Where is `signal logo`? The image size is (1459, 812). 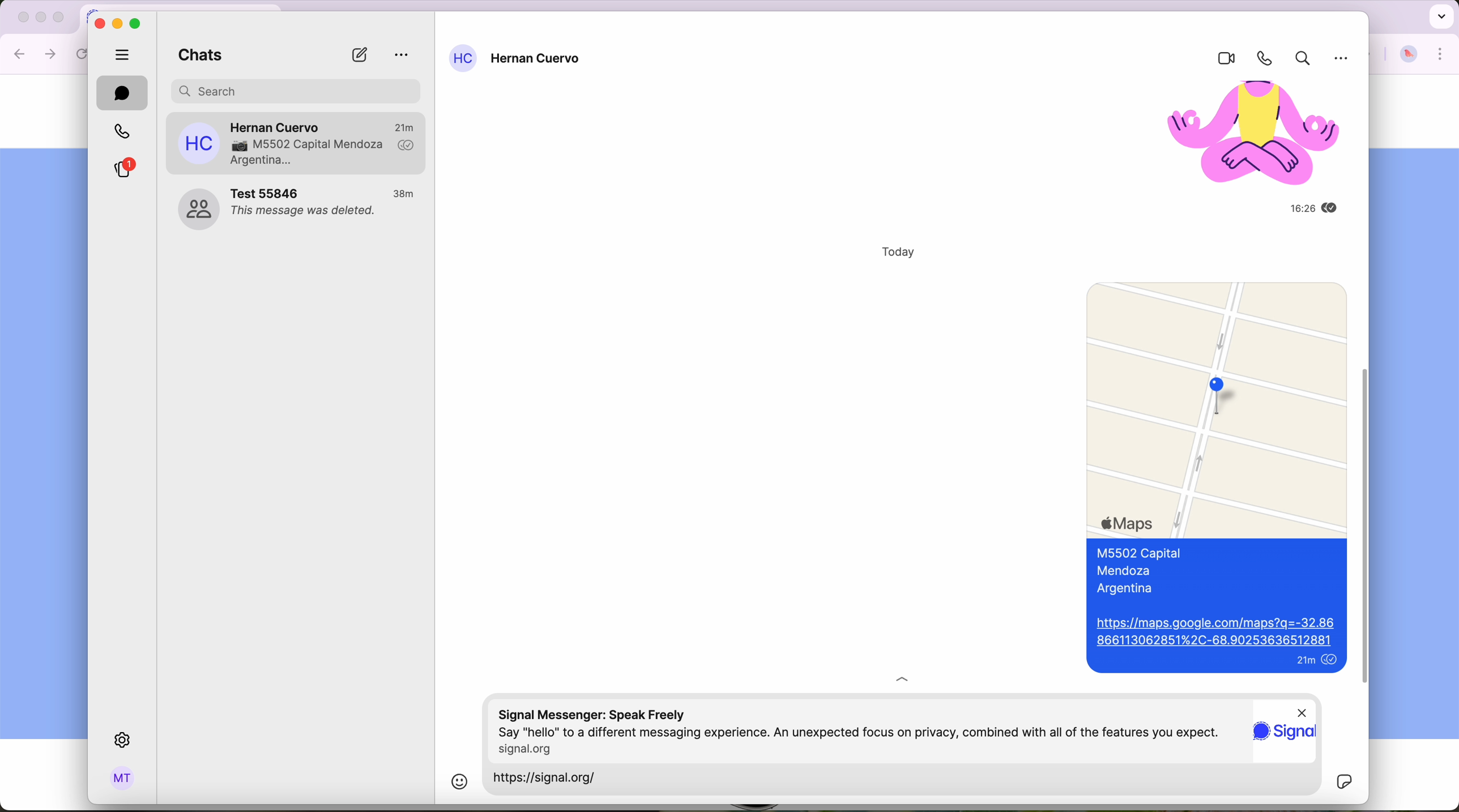
signal logo is located at coordinates (1285, 737).